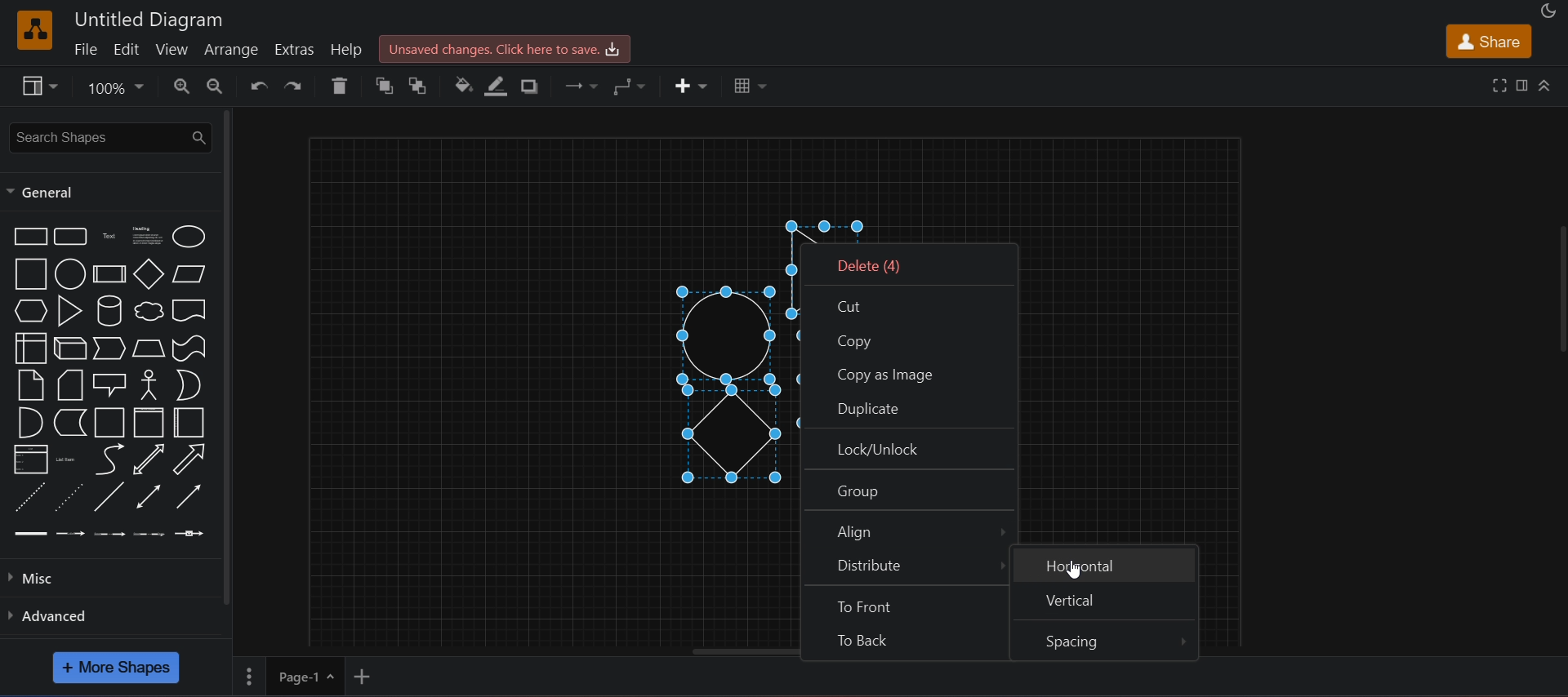  I want to click on square, so click(28, 273).